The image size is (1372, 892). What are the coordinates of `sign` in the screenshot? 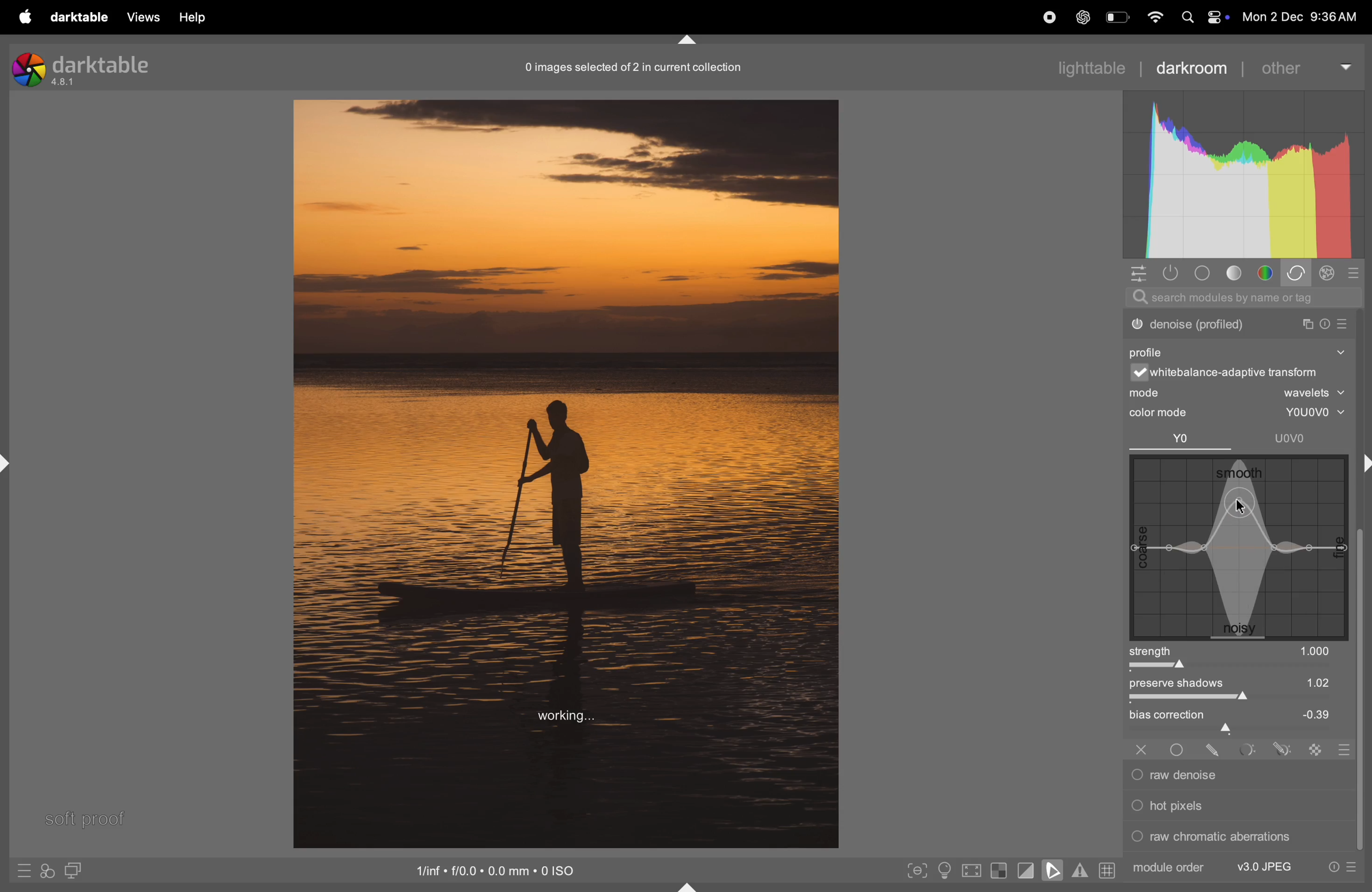 It's located at (1329, 275).